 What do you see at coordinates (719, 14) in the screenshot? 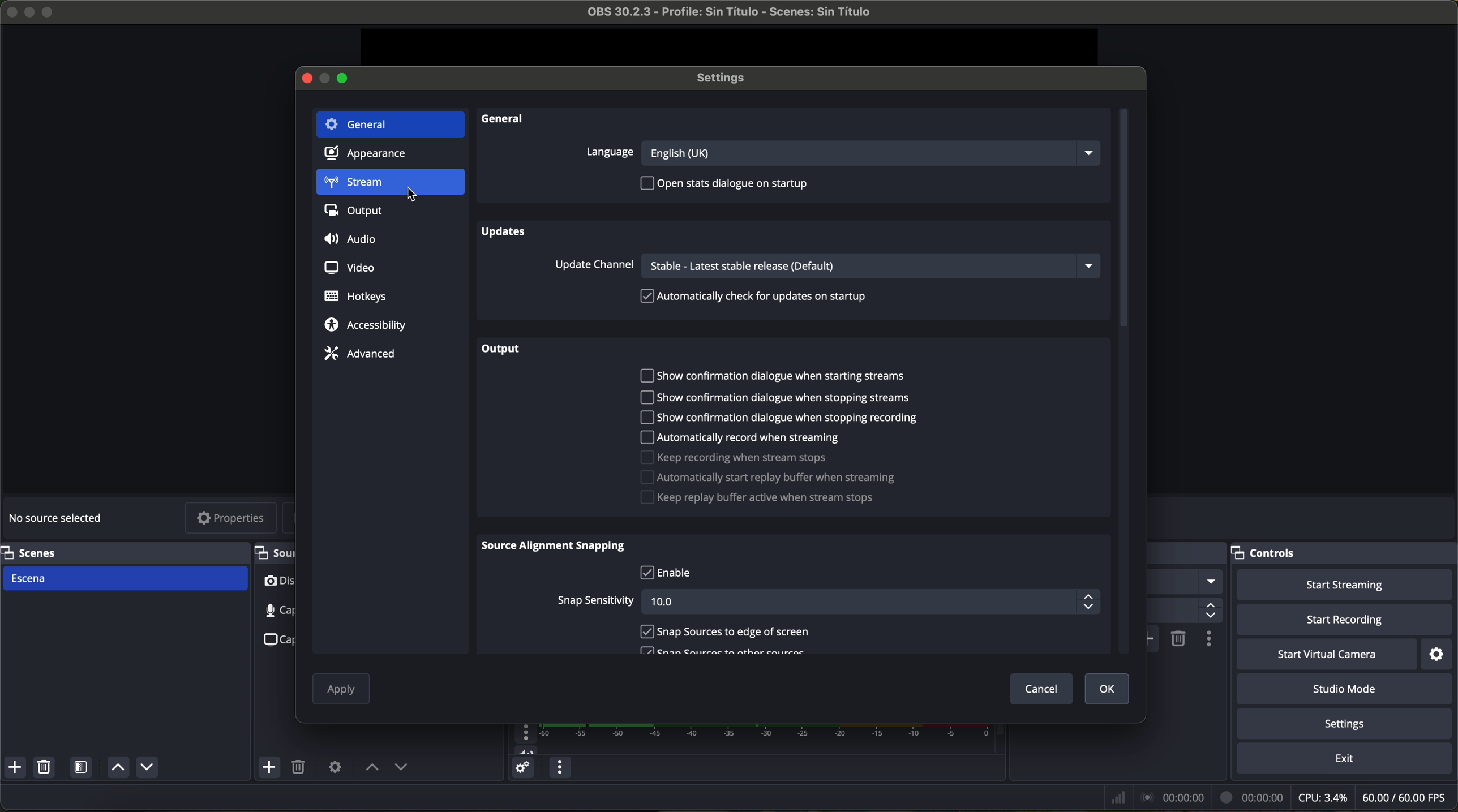
I see `file name` at bounding box center [719, 14].